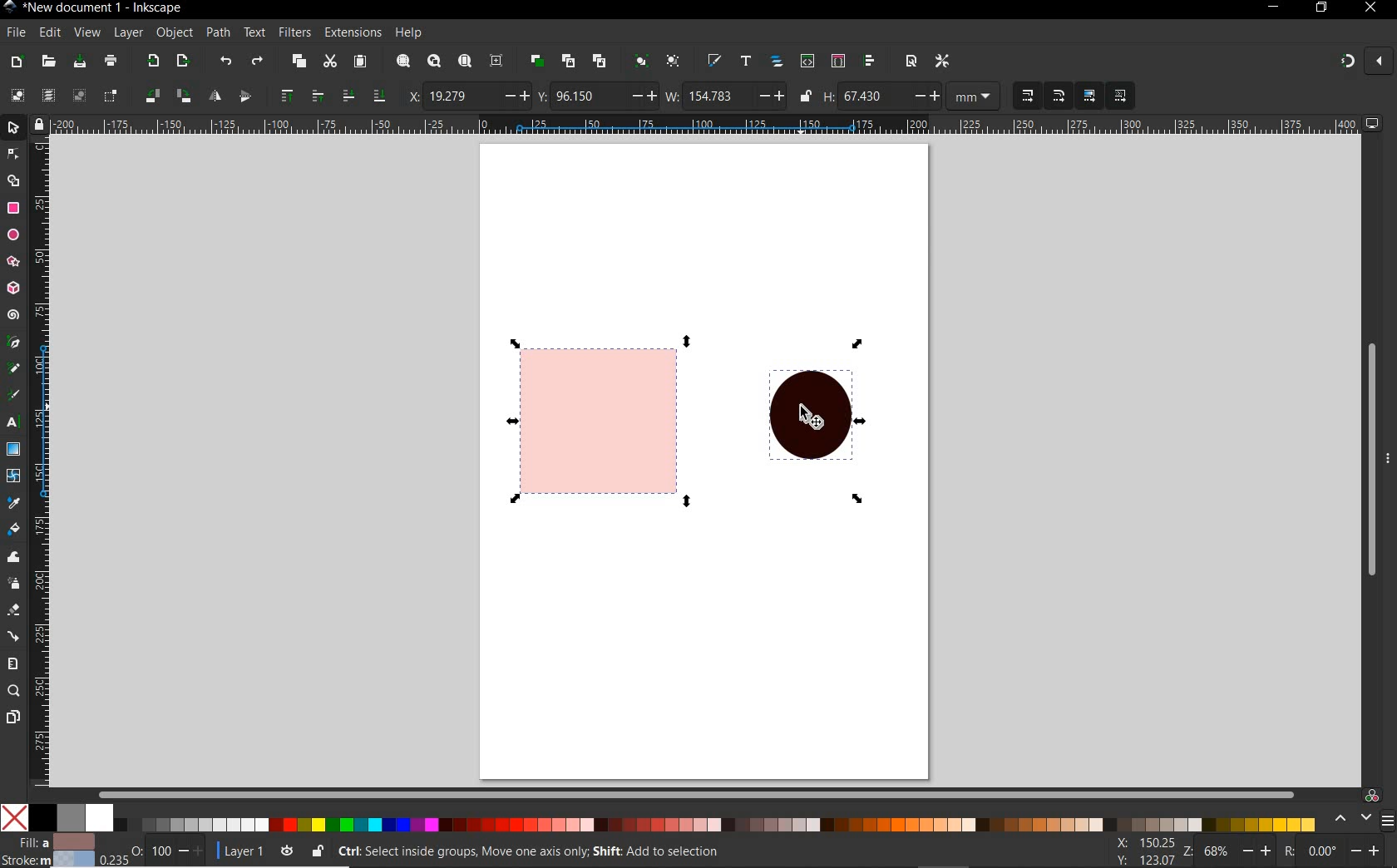 The image size is (1397, 868). Describe the element at coordinates (1365, 60) in the screenshot. I see `snapping on and off` at that location.